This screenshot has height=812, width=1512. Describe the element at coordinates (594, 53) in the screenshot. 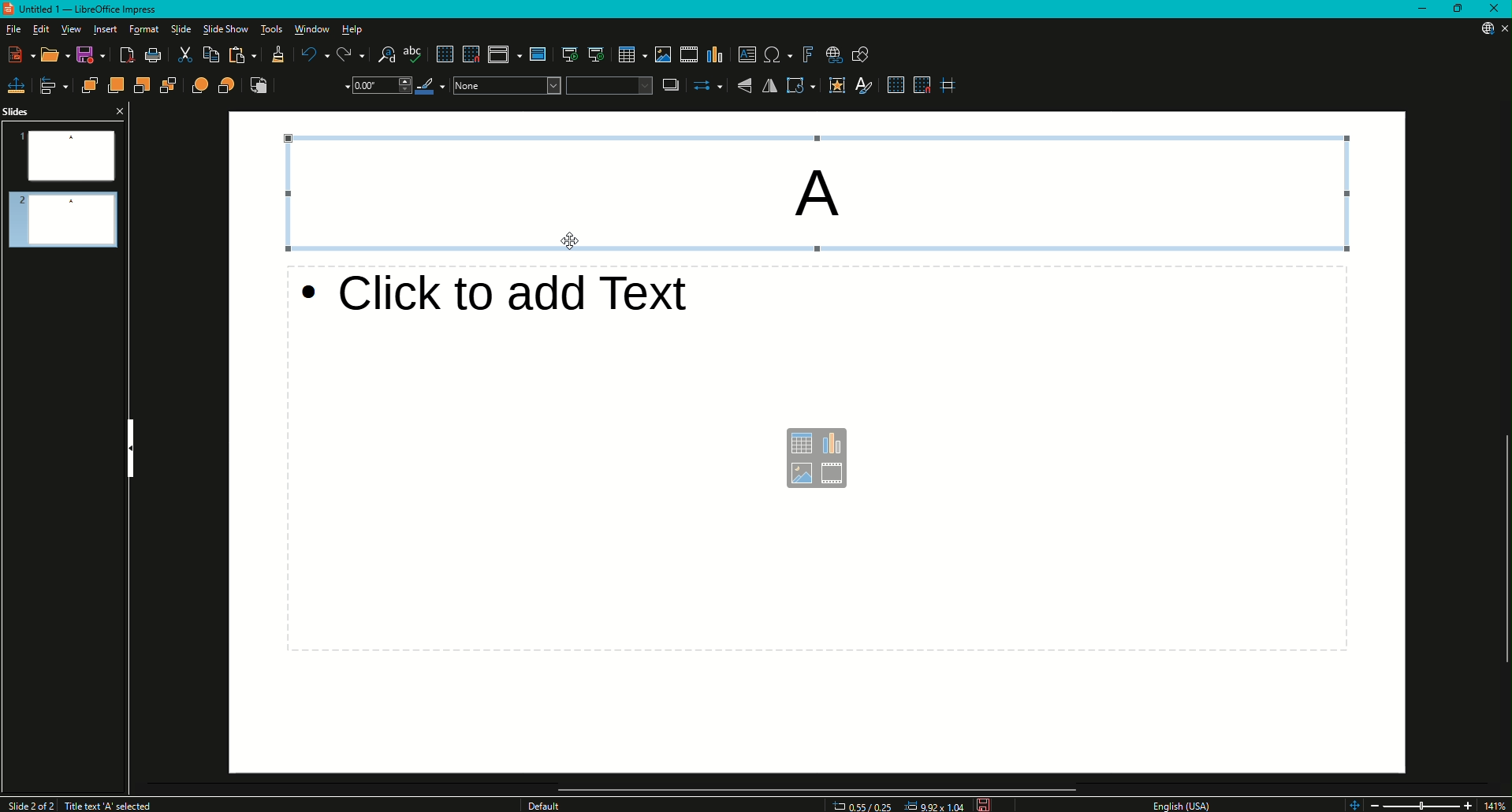

I see `Start from Current Slide` at that location.